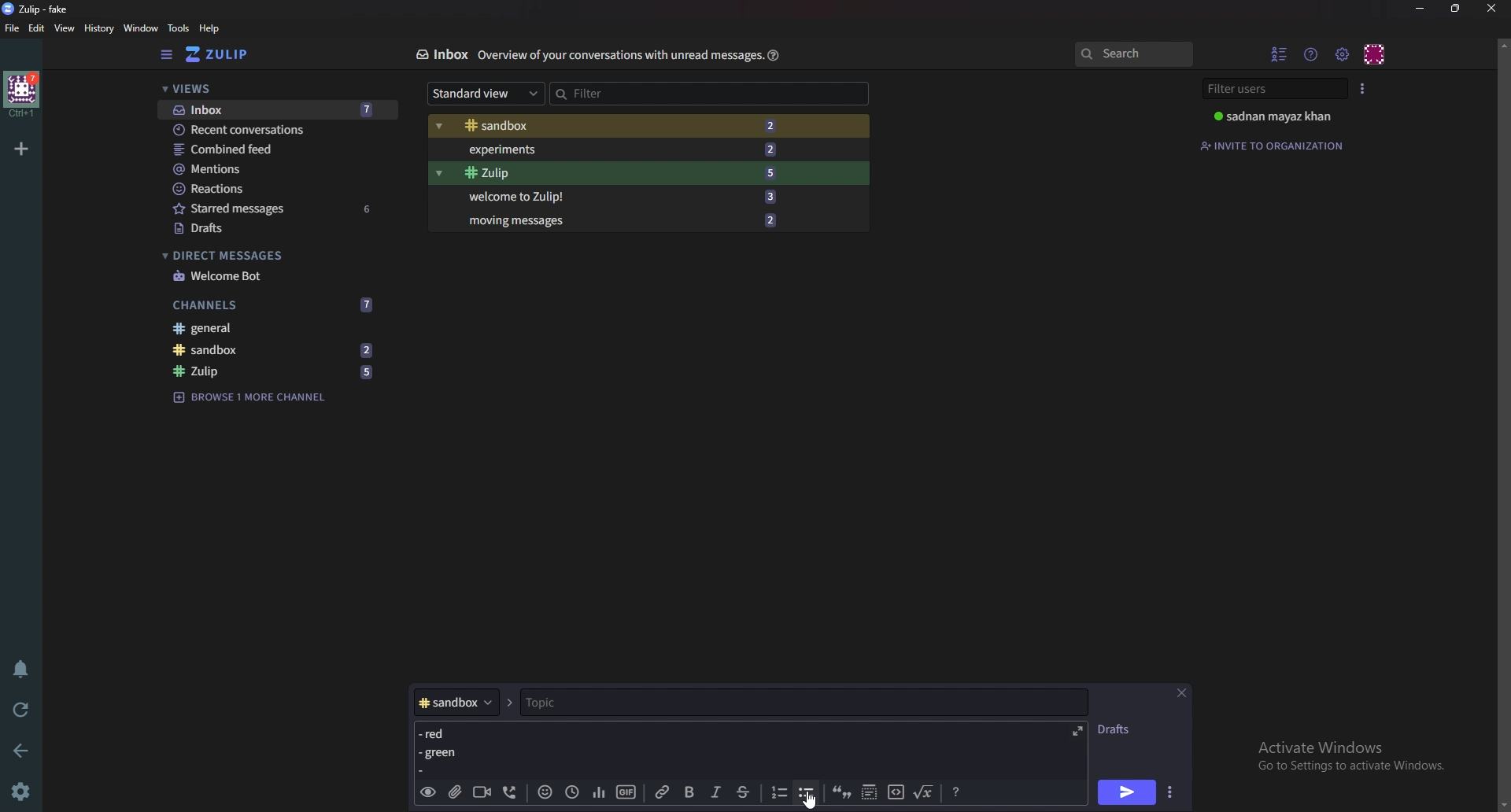 The height and width of the screenshot is (812, 1511). What do you see at coordinates (143, 28) in the screenshot?
I see `Window` at bounding box center [143, 28].